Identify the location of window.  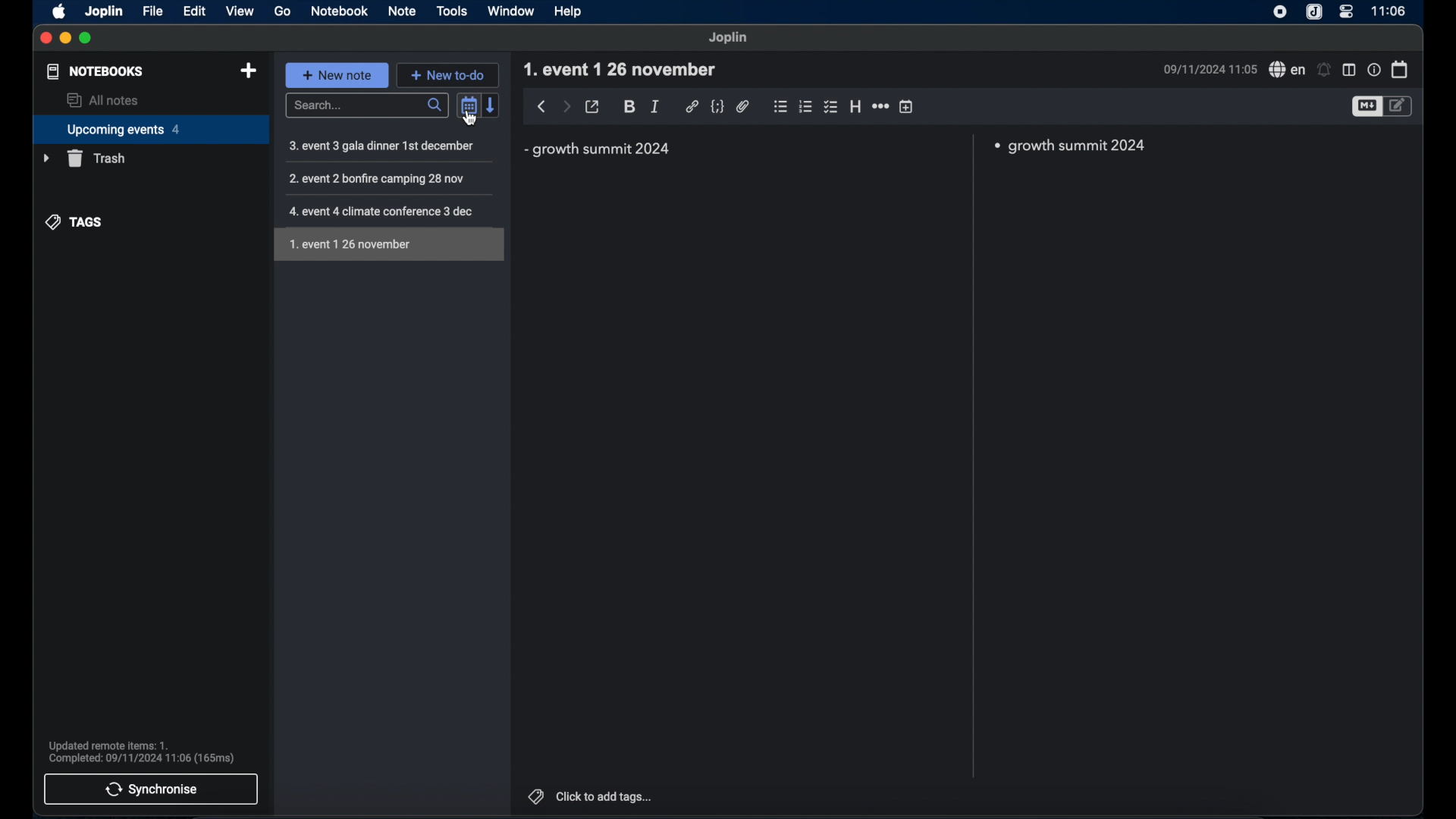
(510, 11).